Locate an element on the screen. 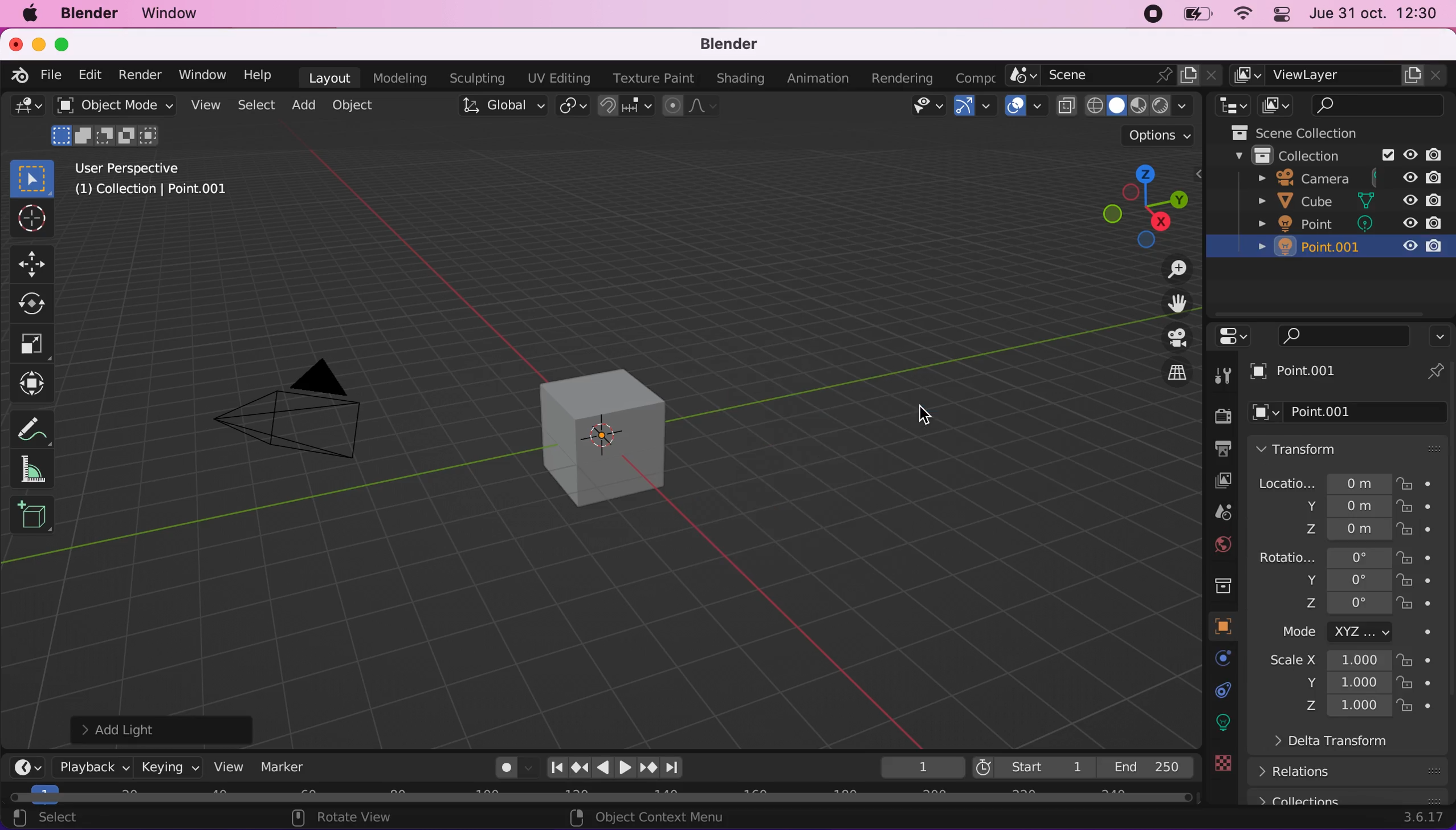 This screenshot has width=1456, height=830. exclude from view layer is located at coordinates (1386, 154).